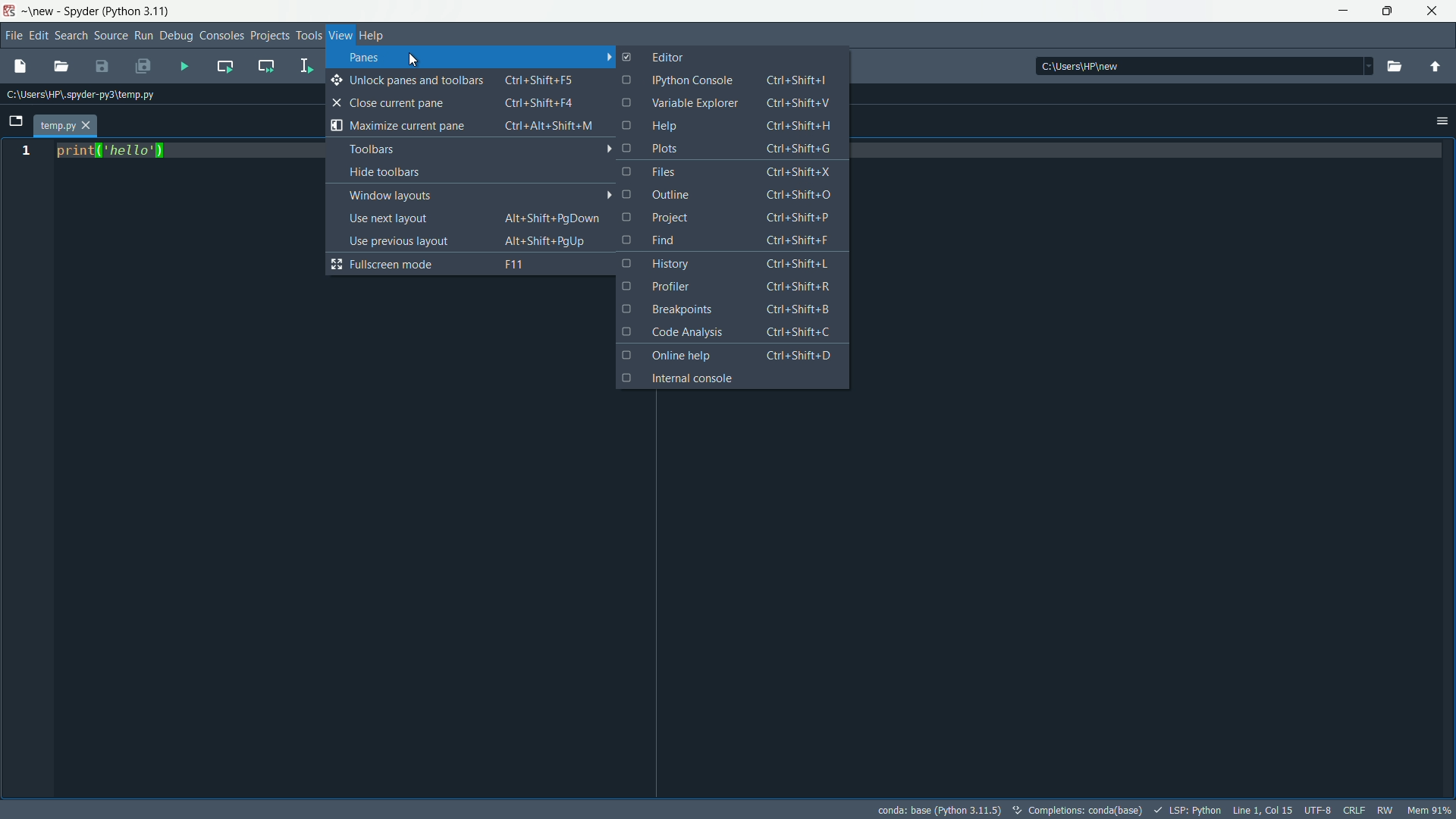  What do you see at coordinates (479, 173) in the screenshot?
I see `hide toolbars` at bounding box center [479, 173].